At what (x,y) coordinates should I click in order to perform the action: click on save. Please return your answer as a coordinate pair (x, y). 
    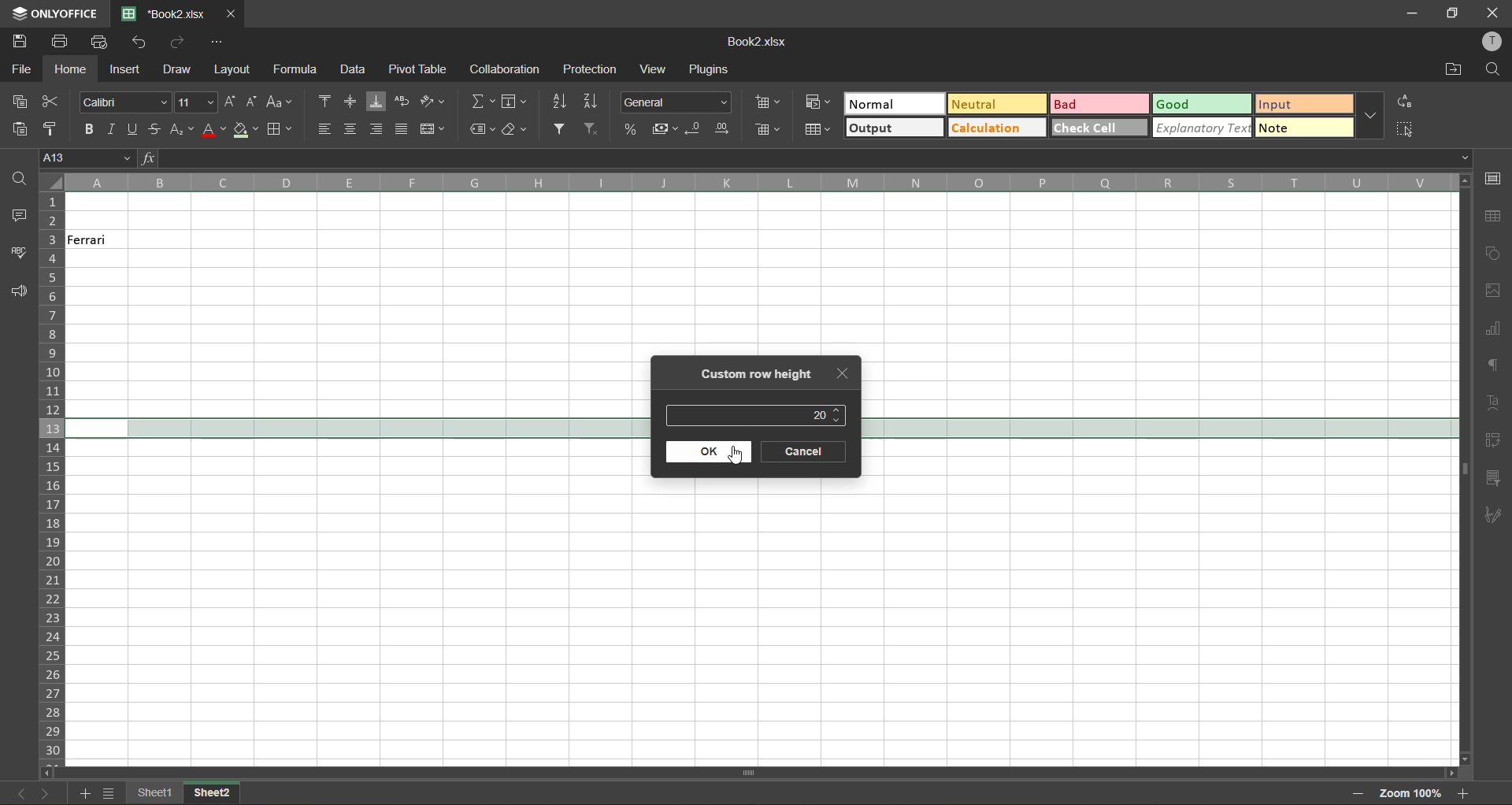
    Looking at the image, I should click on (18, 42).